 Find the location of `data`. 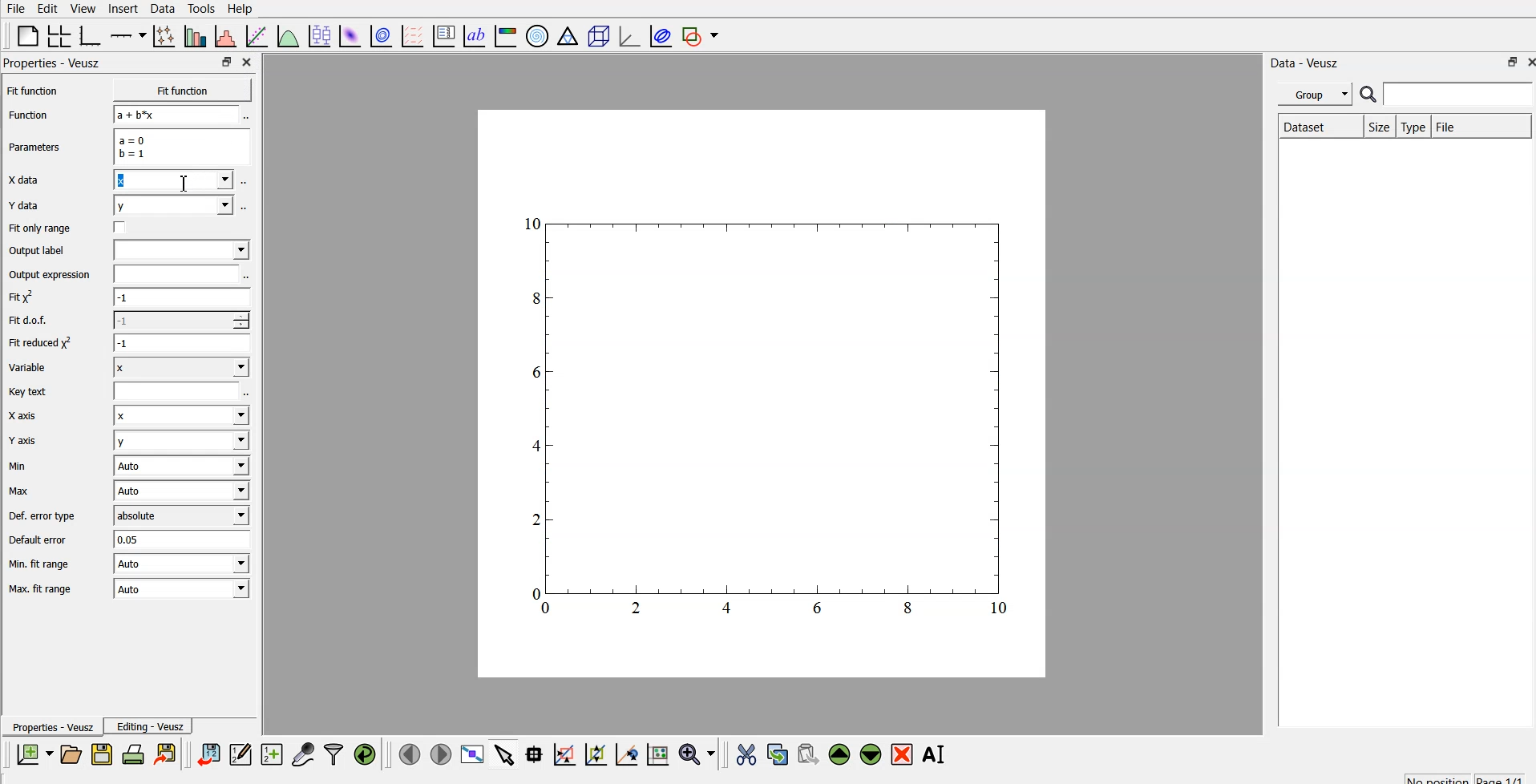

data is located at coordinates (162, 8).